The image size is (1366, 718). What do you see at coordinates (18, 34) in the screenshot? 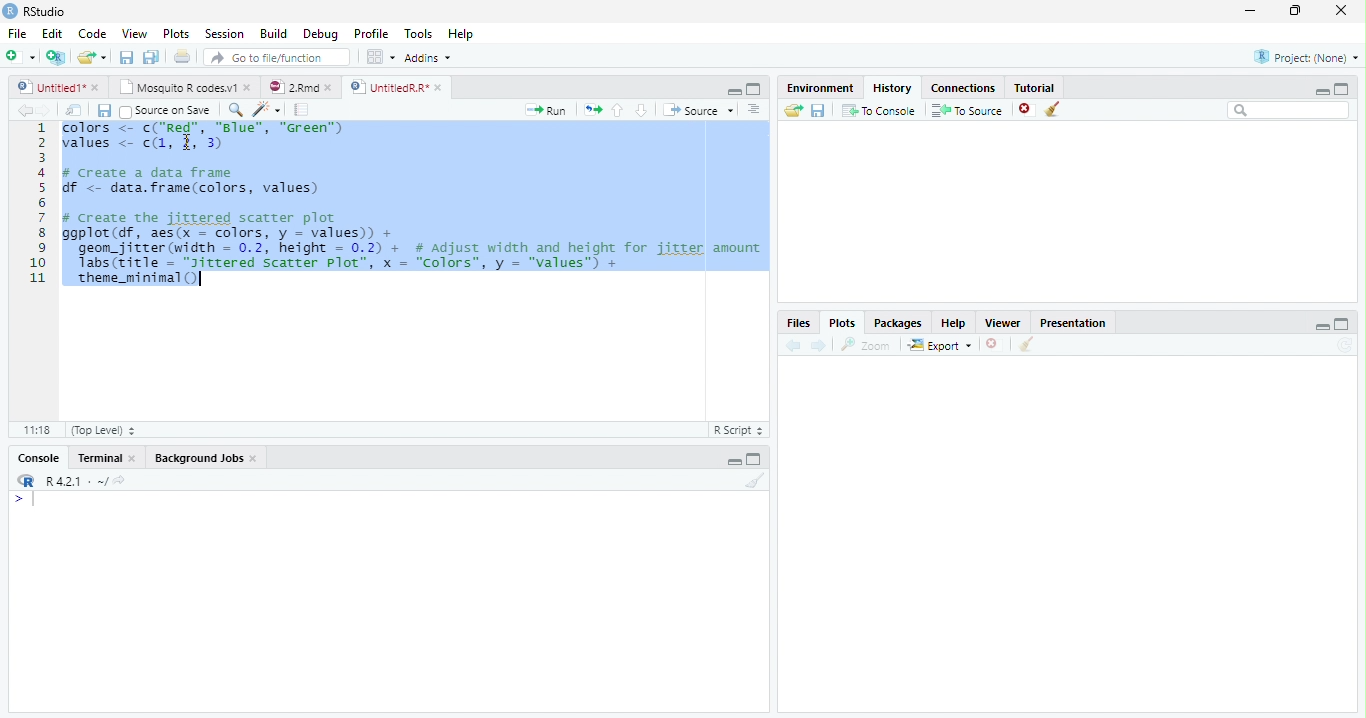
I see `File` at bounding box center [18, 34].